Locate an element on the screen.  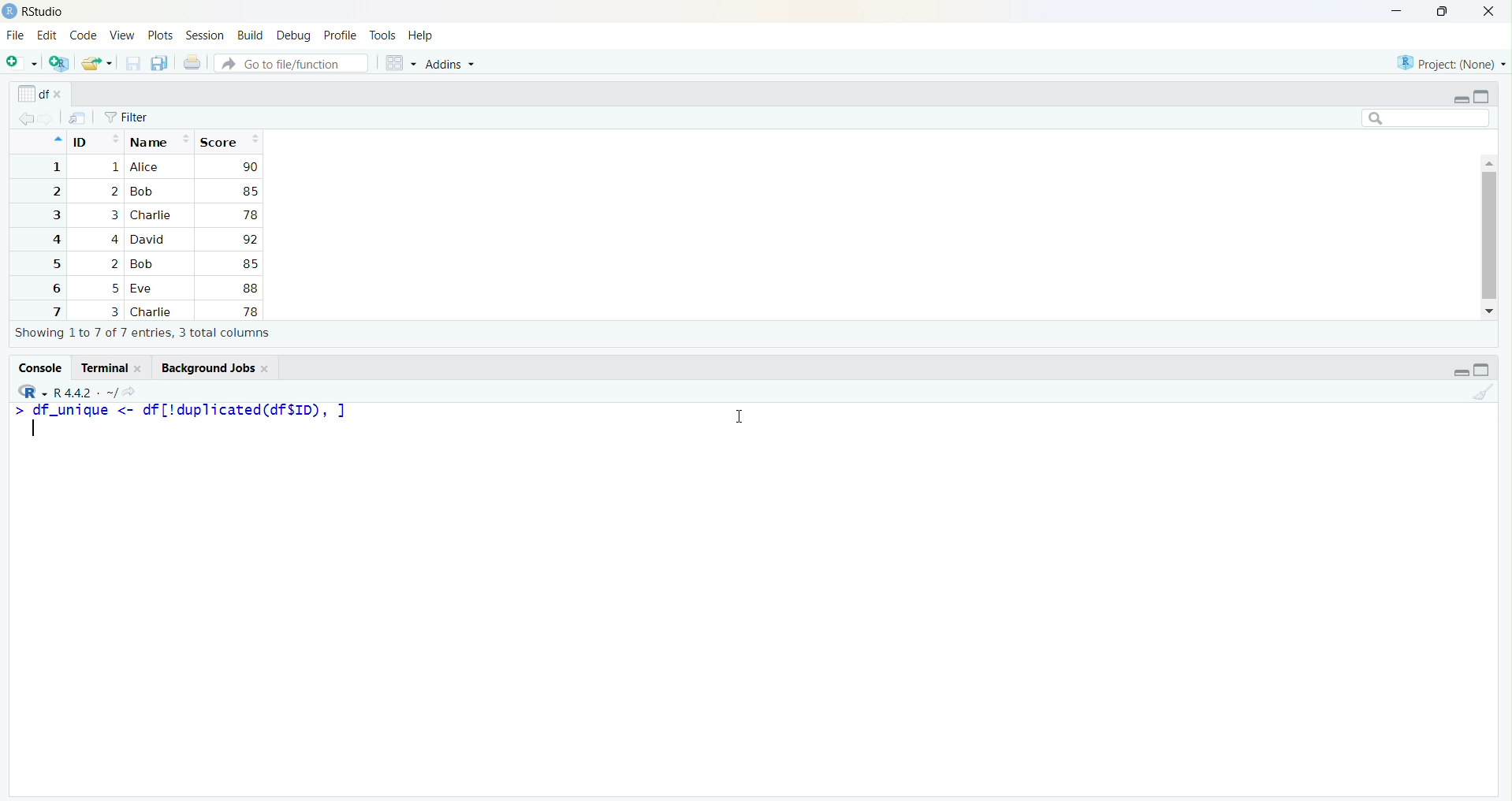
Charlie is located at coordinates (154, 312).